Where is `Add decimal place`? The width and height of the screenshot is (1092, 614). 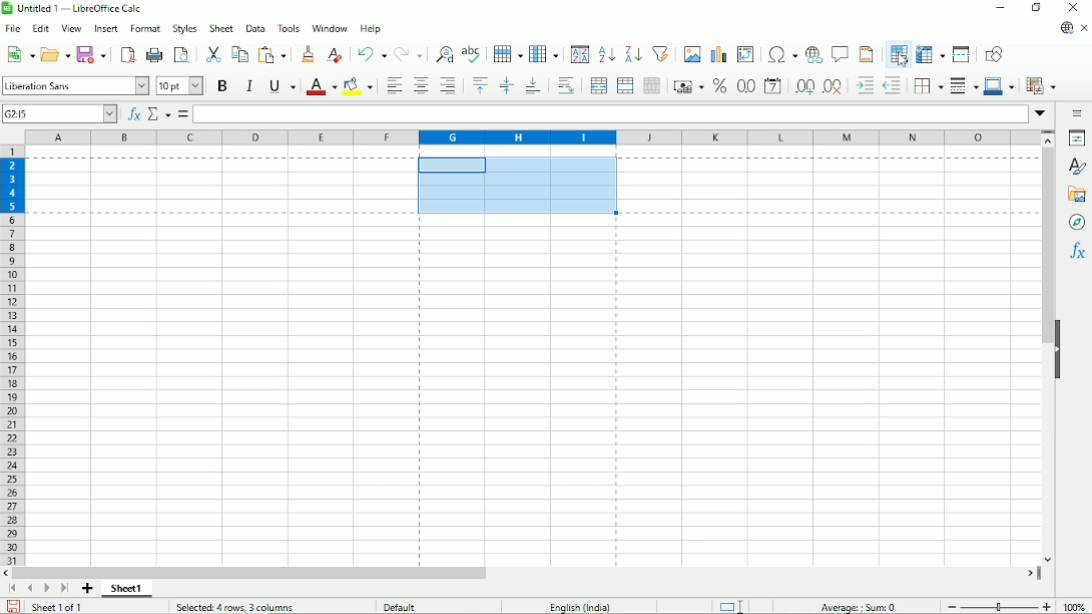
Add decimal place is located at coordinates (804, 88).